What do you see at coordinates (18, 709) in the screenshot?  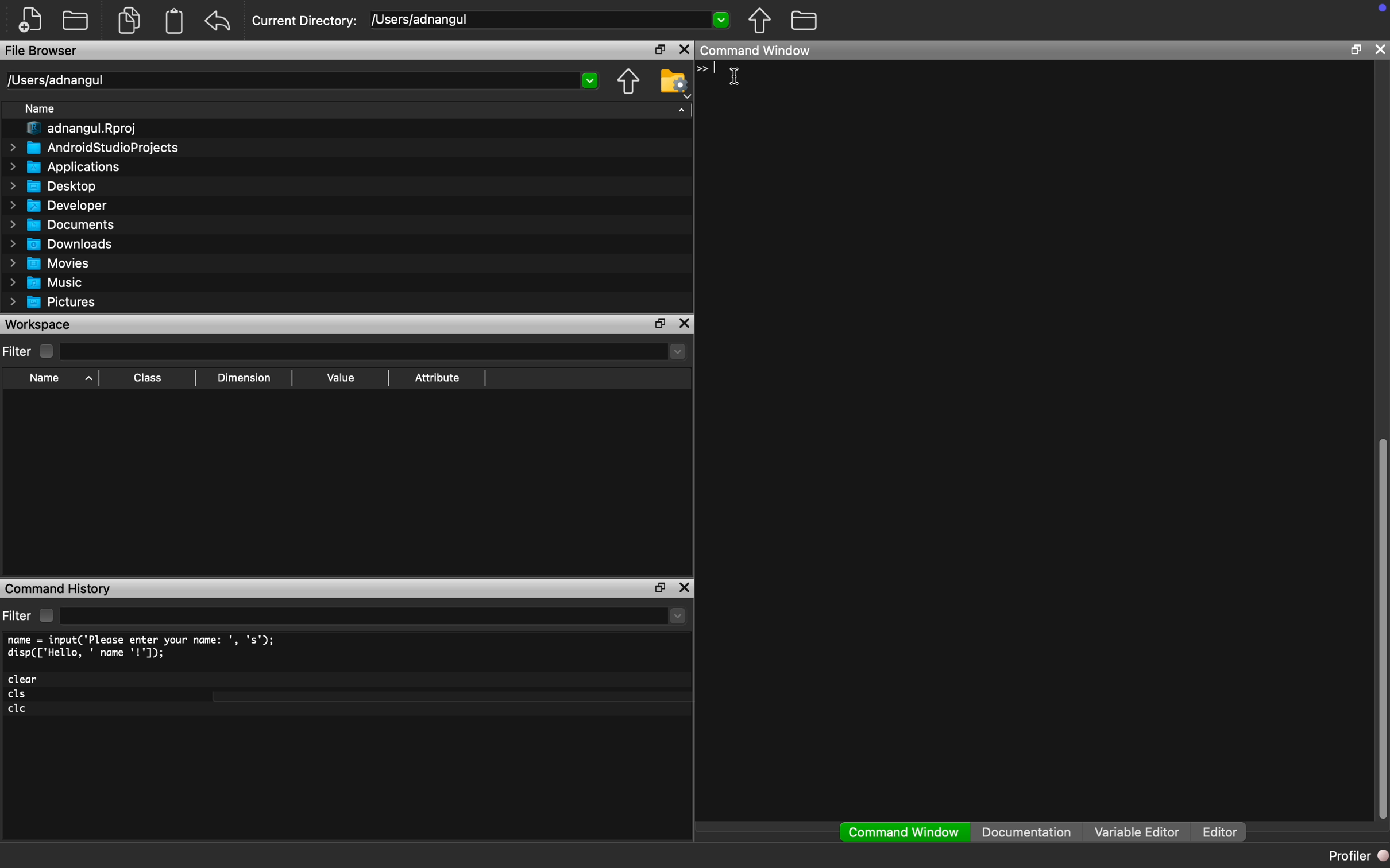 I see `clc` at bounding box center [18, 709].